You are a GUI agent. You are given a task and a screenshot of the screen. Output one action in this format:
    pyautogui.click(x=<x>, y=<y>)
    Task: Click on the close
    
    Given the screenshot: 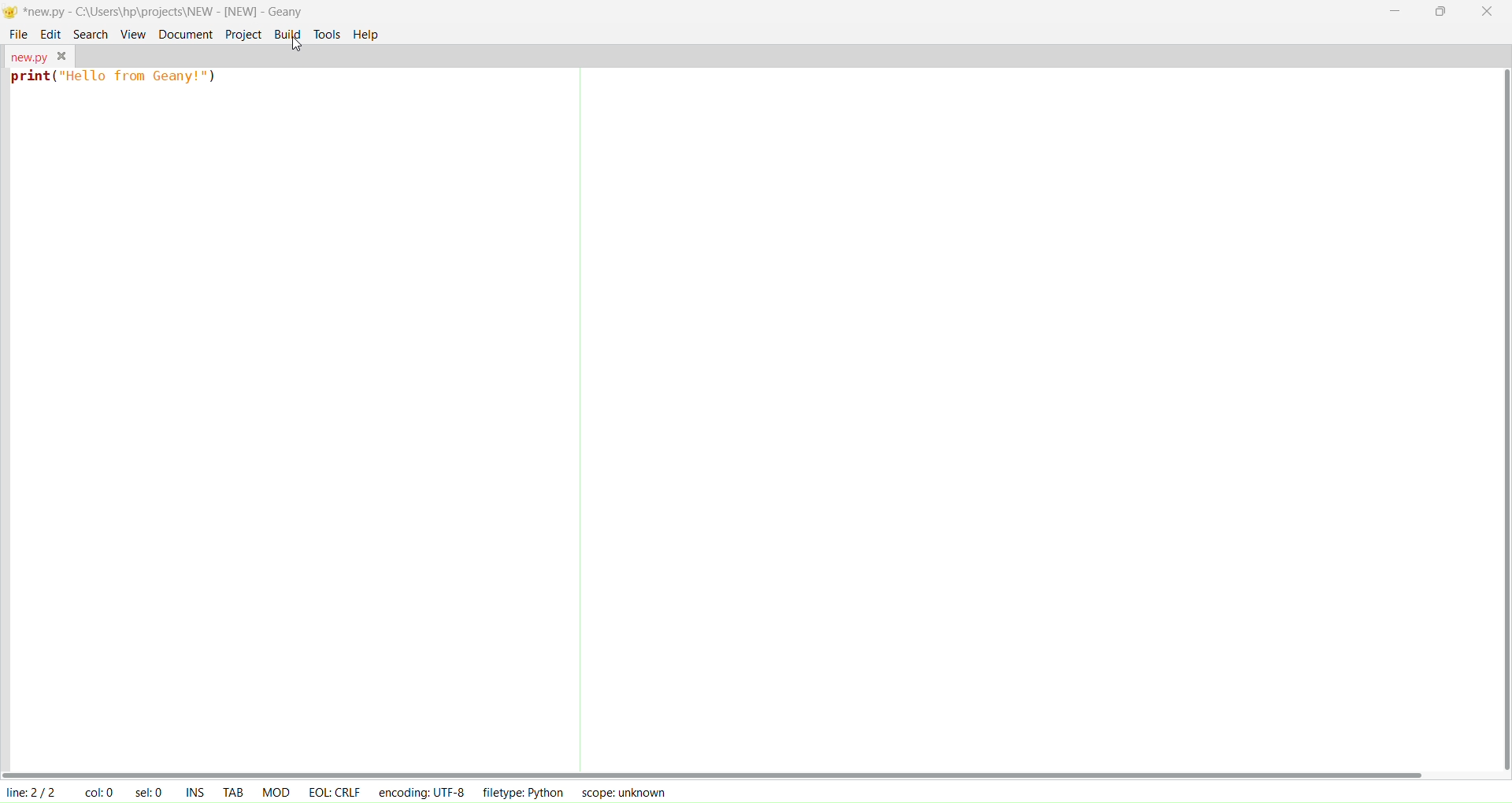 What is the action you would take?
    pyautogui.click(x=1487, y=13)
    